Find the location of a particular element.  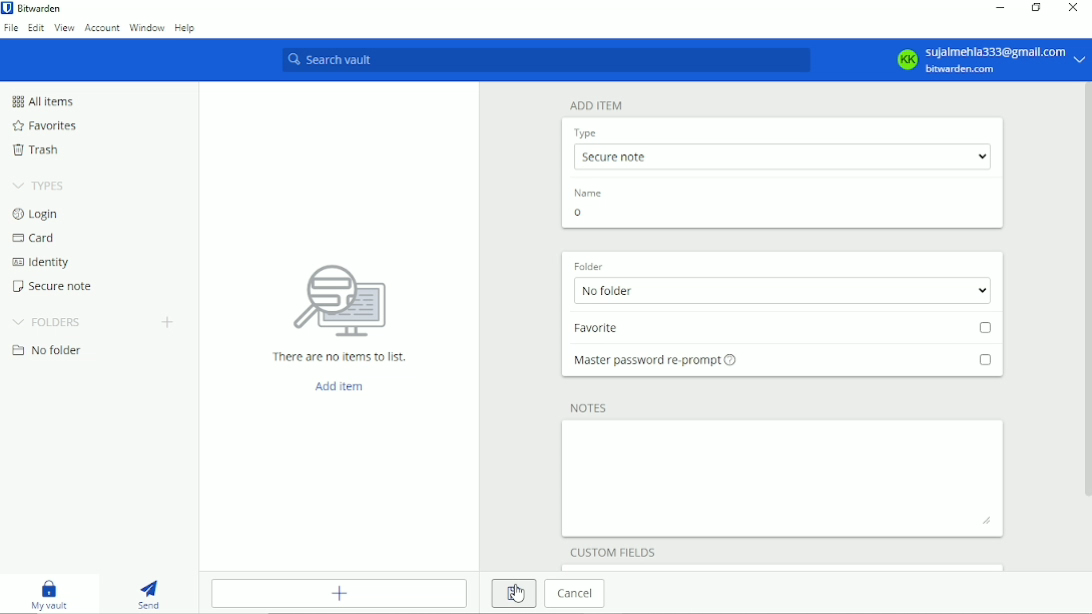

Favorite is located at coordinates (786, 330).